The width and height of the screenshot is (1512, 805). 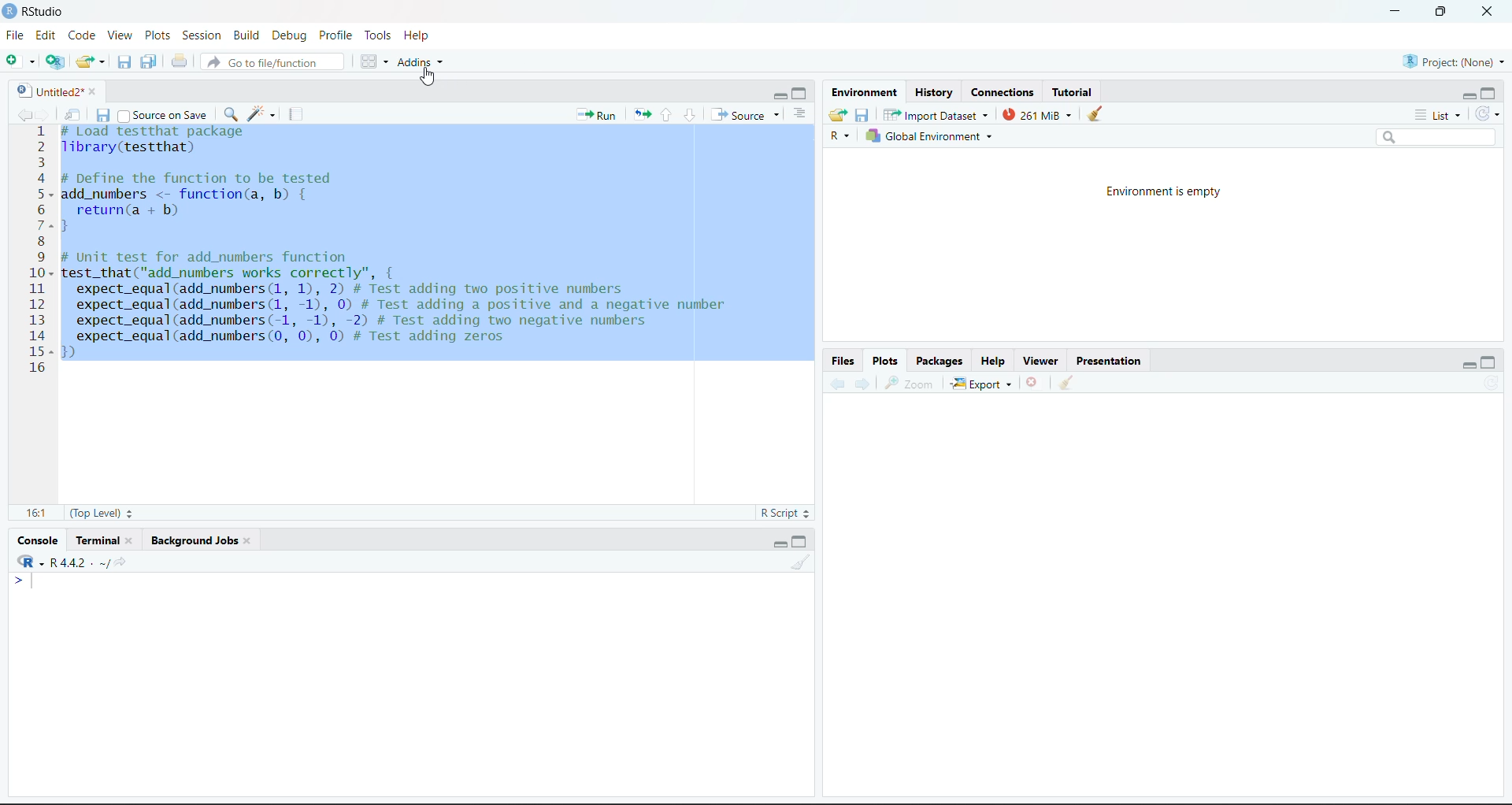 What do you see at coordinates (124, 61) in the screenshot?
I see `Save the current document` at bounding box center [124, 61].